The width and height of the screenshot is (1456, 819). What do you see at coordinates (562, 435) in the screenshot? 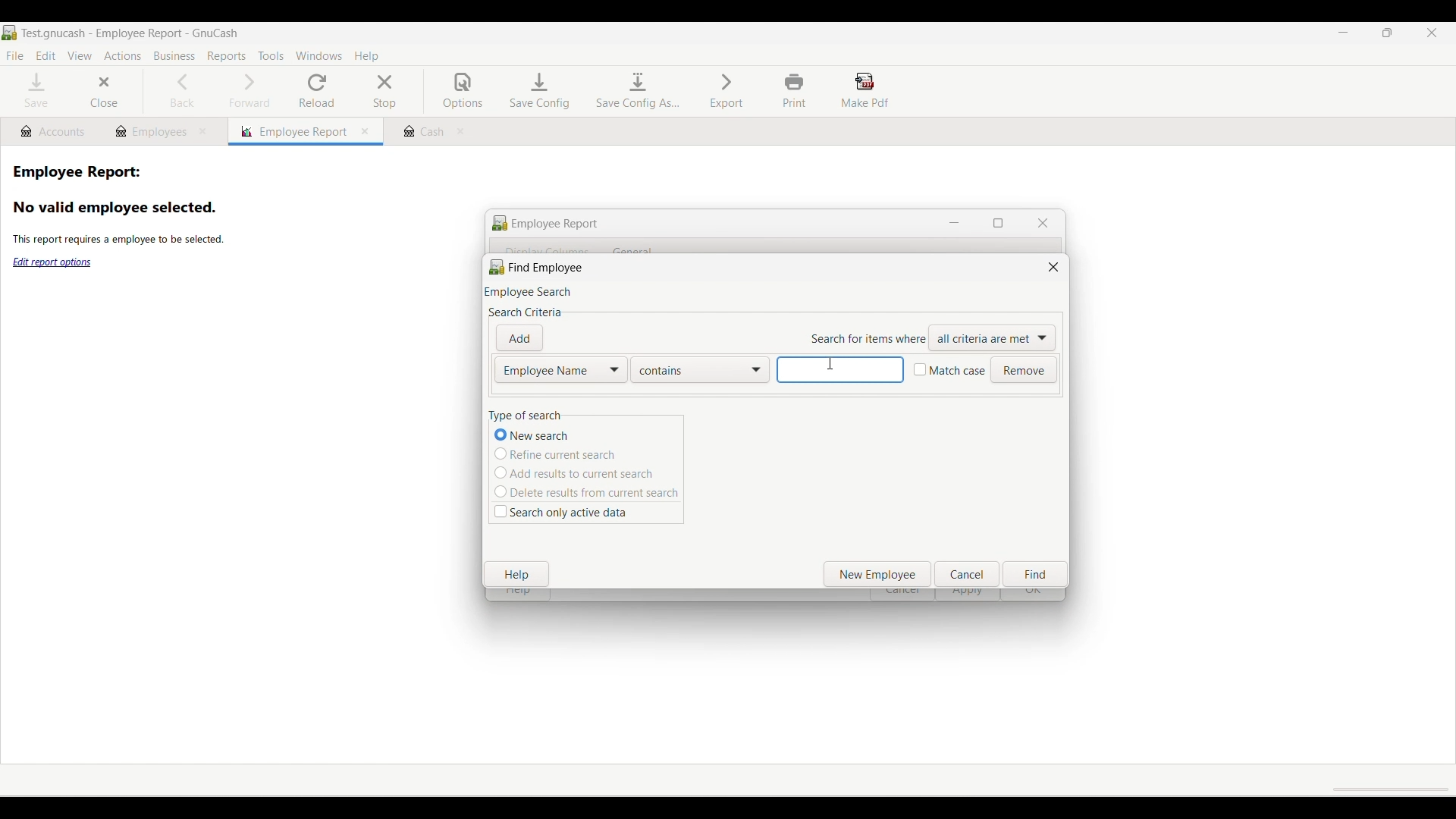
I see `New search selected` at bounding box center [562, 435].